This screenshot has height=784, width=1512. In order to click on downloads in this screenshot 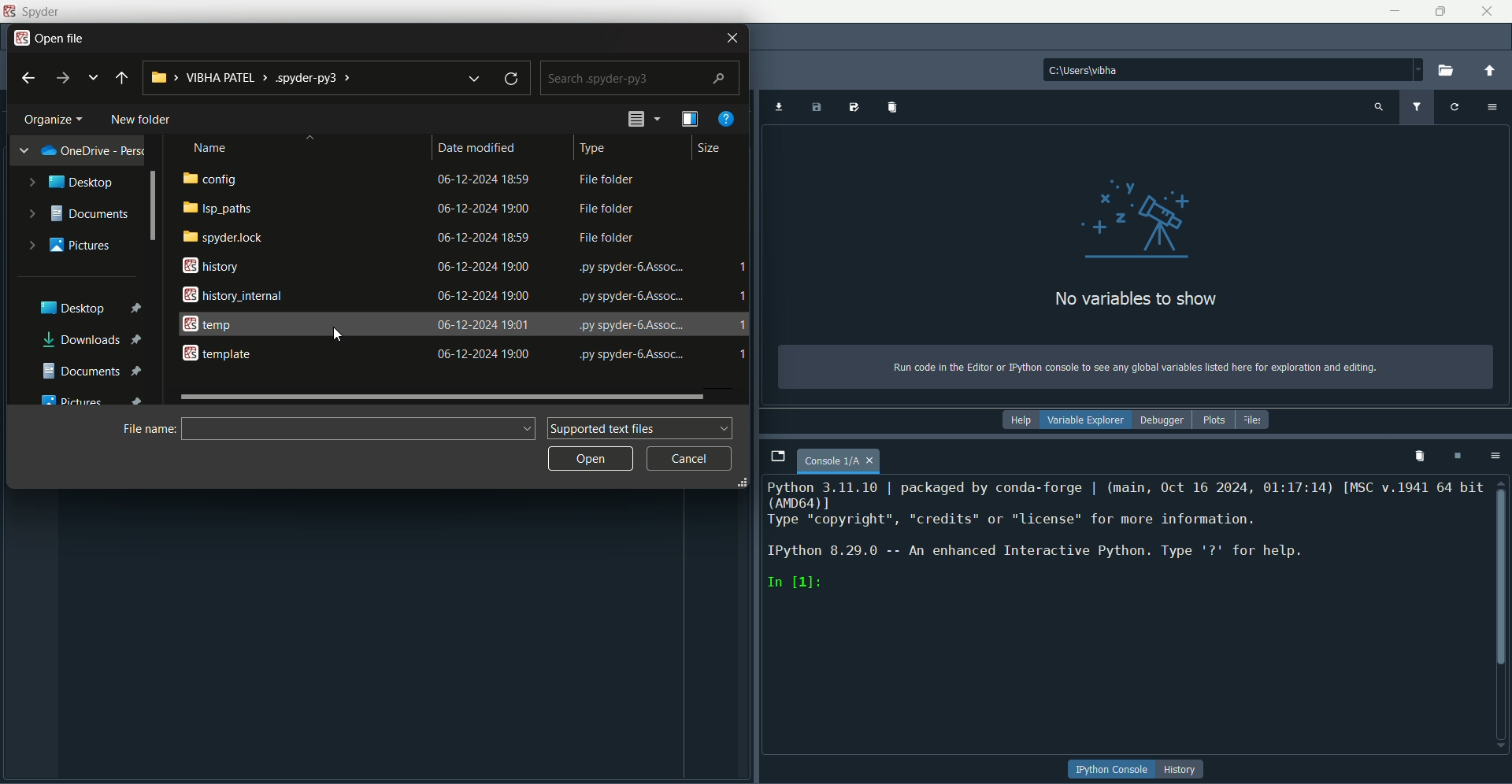, I will do `click(96, 341)`.